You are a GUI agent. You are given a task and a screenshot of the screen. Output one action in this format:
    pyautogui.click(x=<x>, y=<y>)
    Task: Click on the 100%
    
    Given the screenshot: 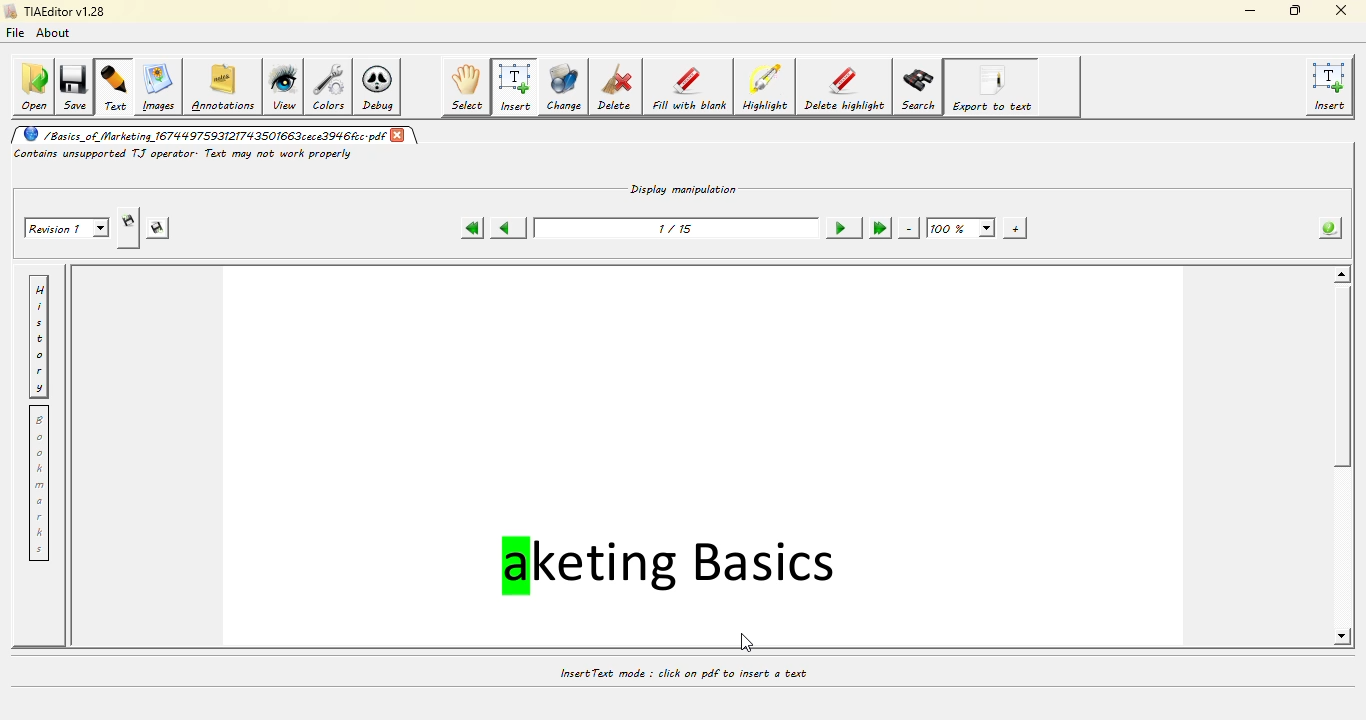 What is the action you would take?
    pyautogui.click(x=961, y=227)
    